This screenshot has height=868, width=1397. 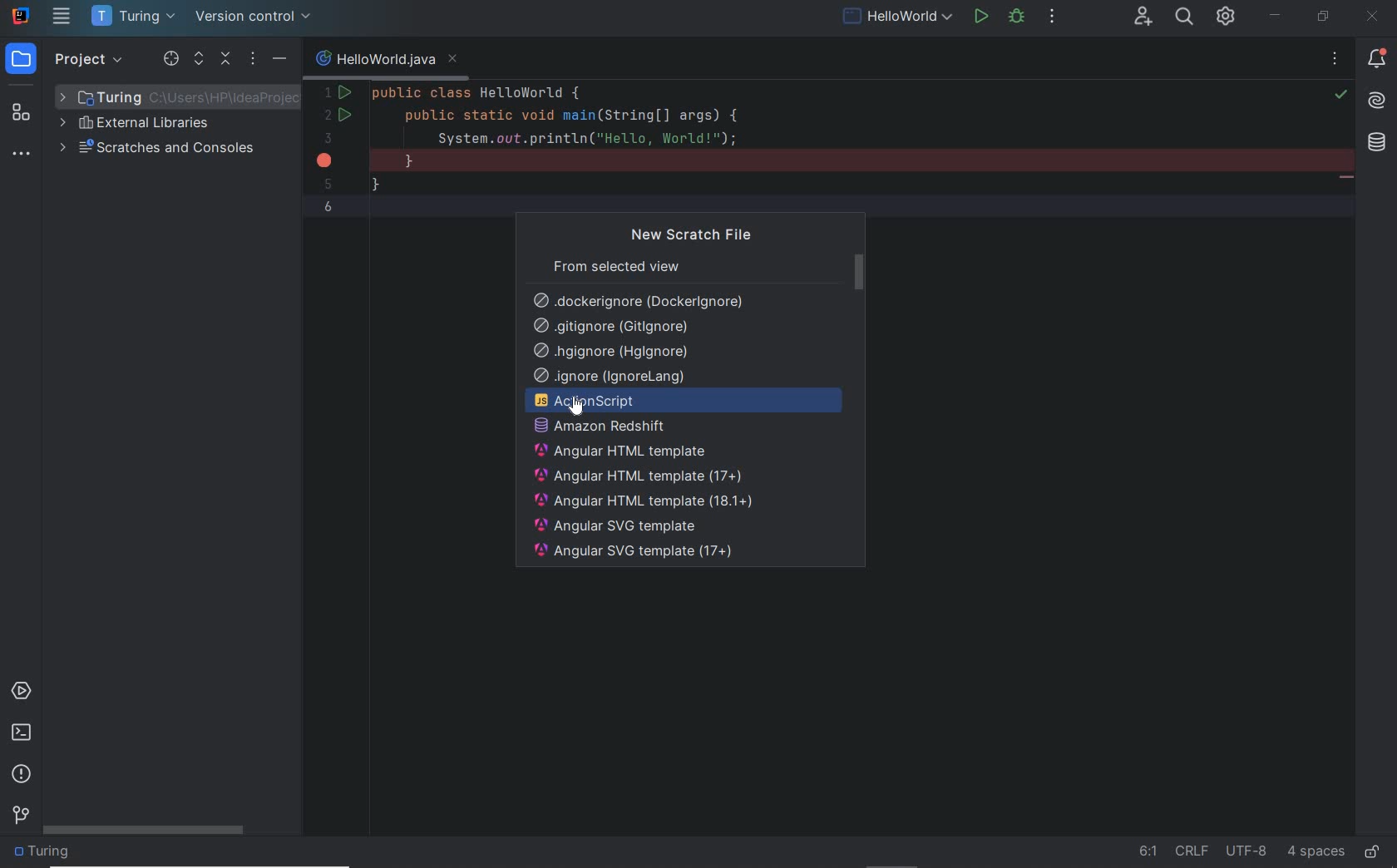 What do you see at coordinates (1345, 179) in the screenshot?
I see `public static void` at bounding box center [1345, 179].